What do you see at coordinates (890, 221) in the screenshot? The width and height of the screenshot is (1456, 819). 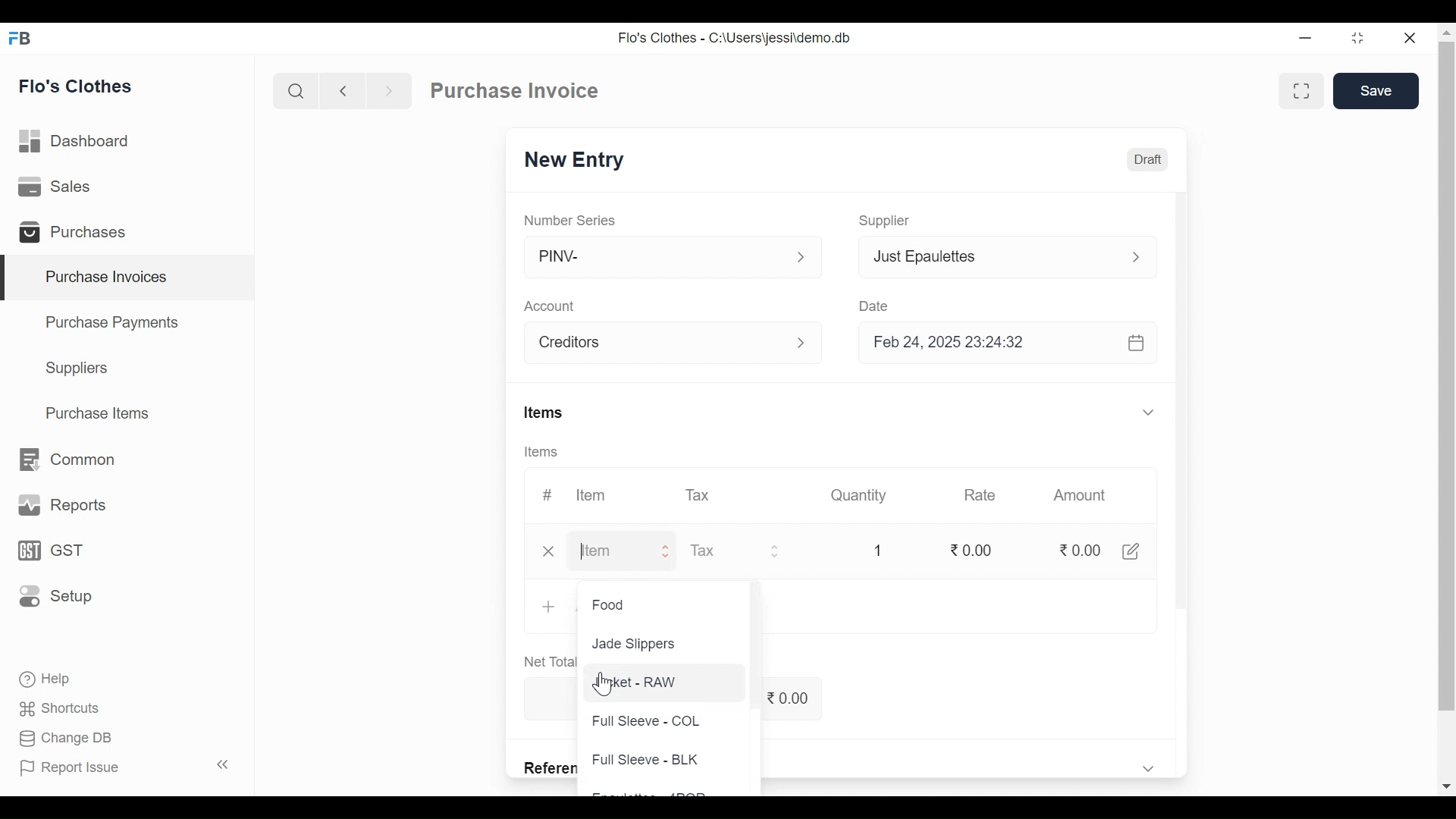 I see `Supplier` at bounding box center [890, 221].